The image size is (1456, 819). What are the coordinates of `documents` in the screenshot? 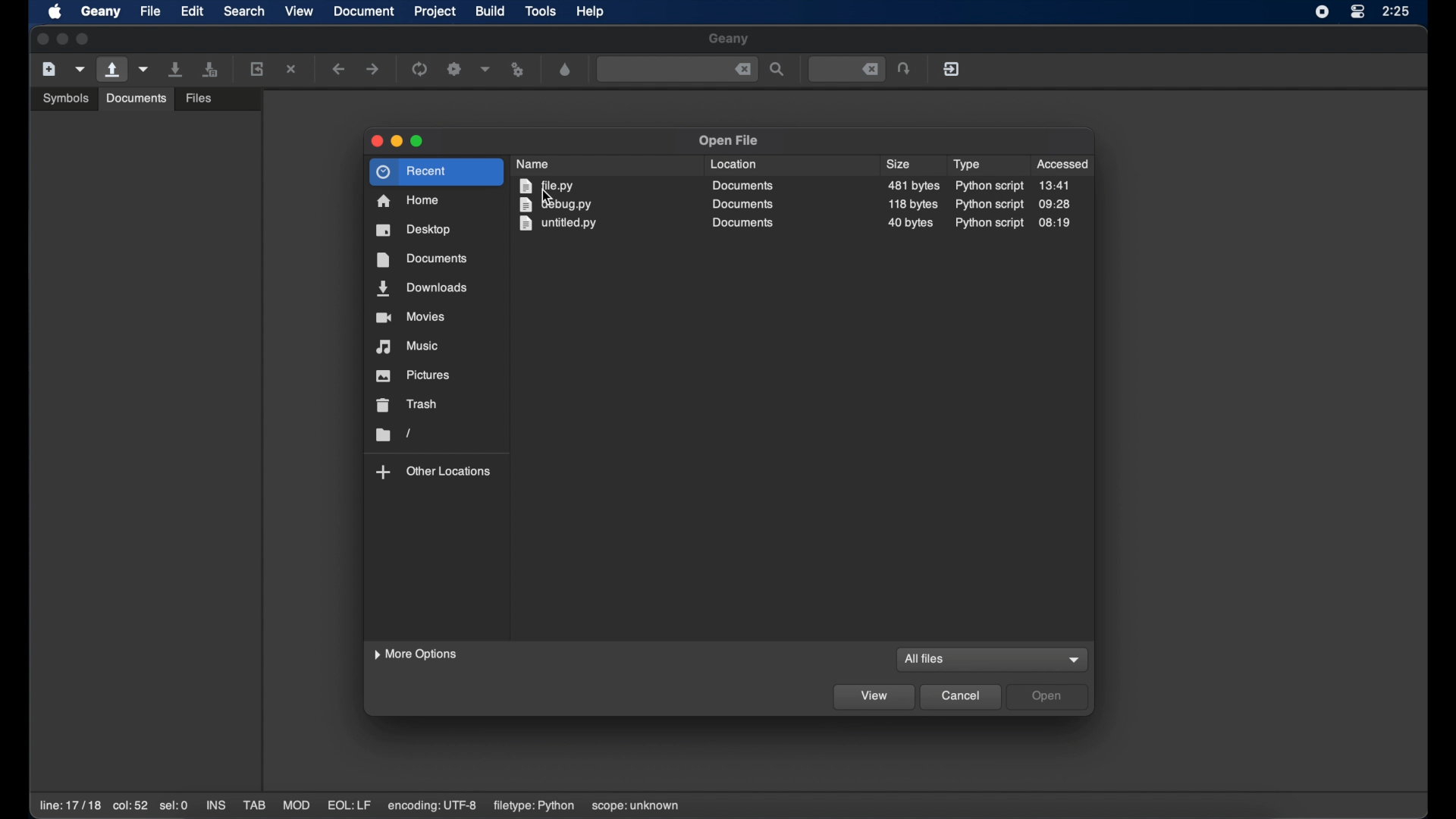 It's located at (742, 223).